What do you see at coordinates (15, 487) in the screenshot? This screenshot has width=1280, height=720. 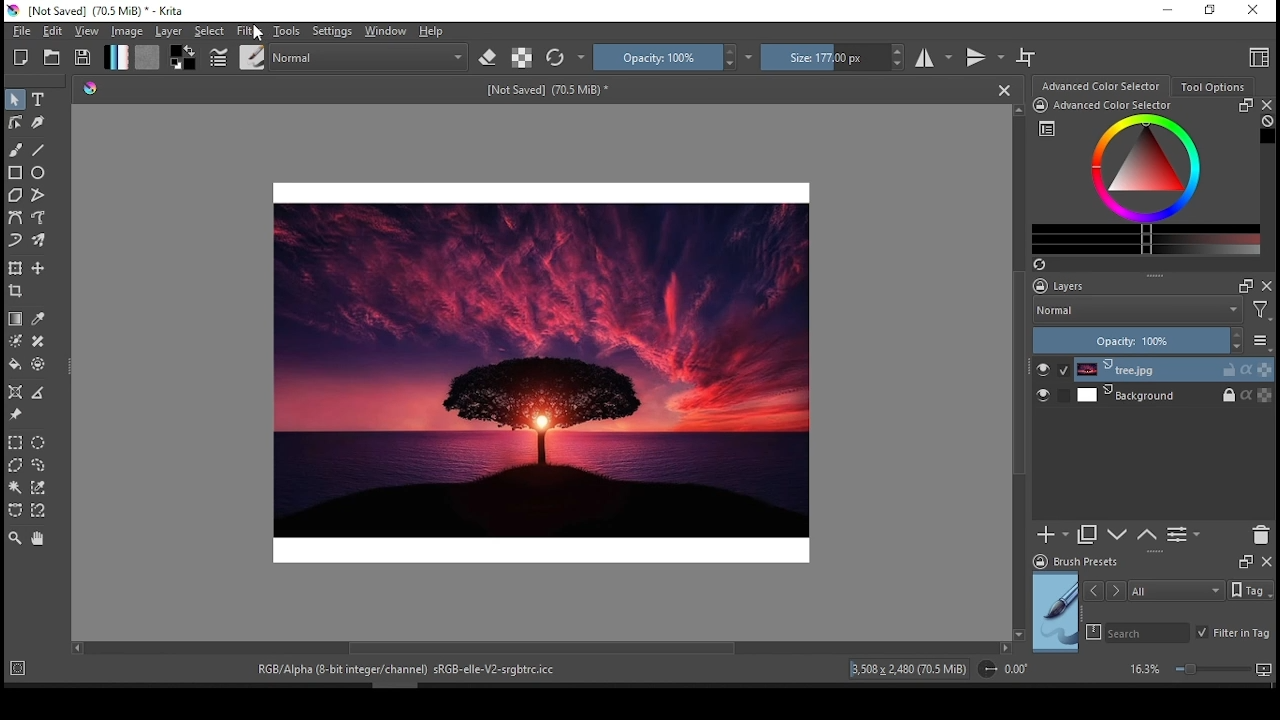 I see `contiguous selection tool` at bounding box center [15, 487].